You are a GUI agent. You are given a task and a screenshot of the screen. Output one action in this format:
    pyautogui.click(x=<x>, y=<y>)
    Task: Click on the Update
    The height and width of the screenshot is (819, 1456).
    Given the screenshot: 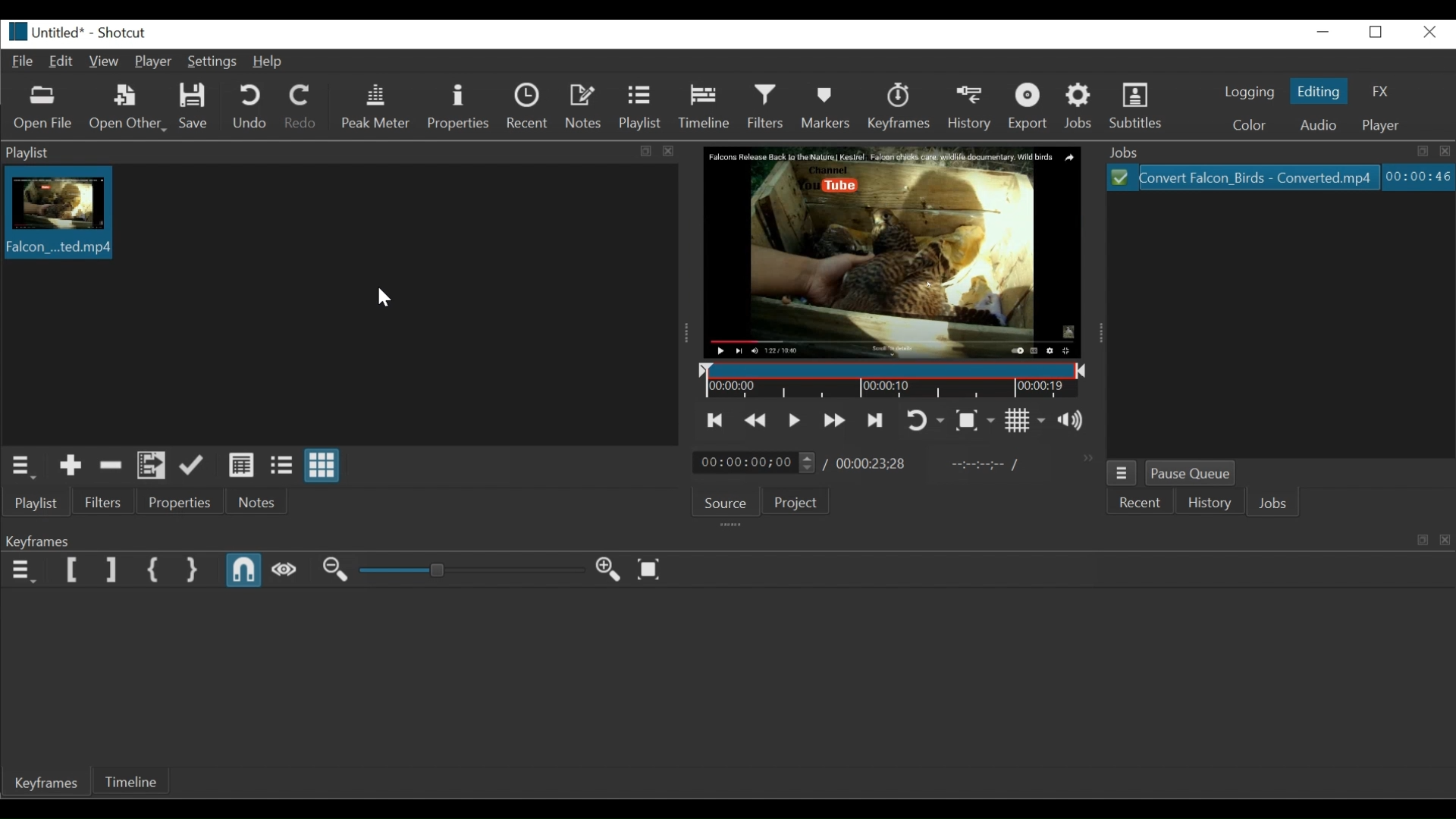 What is the action you would take?
    pyautogui.click(x=193, y=464)
    